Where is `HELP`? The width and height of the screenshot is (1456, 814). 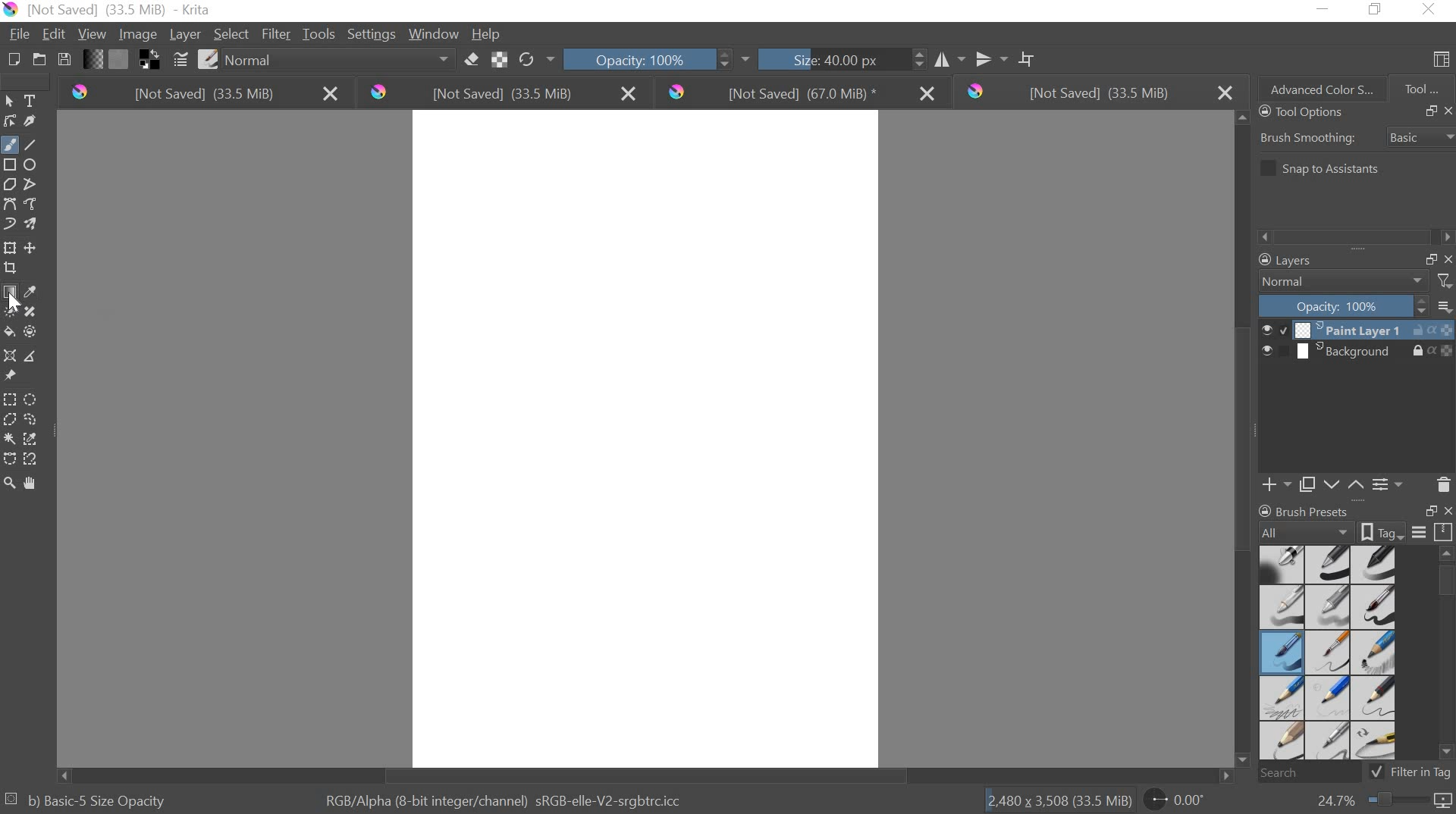 HELP is located at coordinates (487, 35).